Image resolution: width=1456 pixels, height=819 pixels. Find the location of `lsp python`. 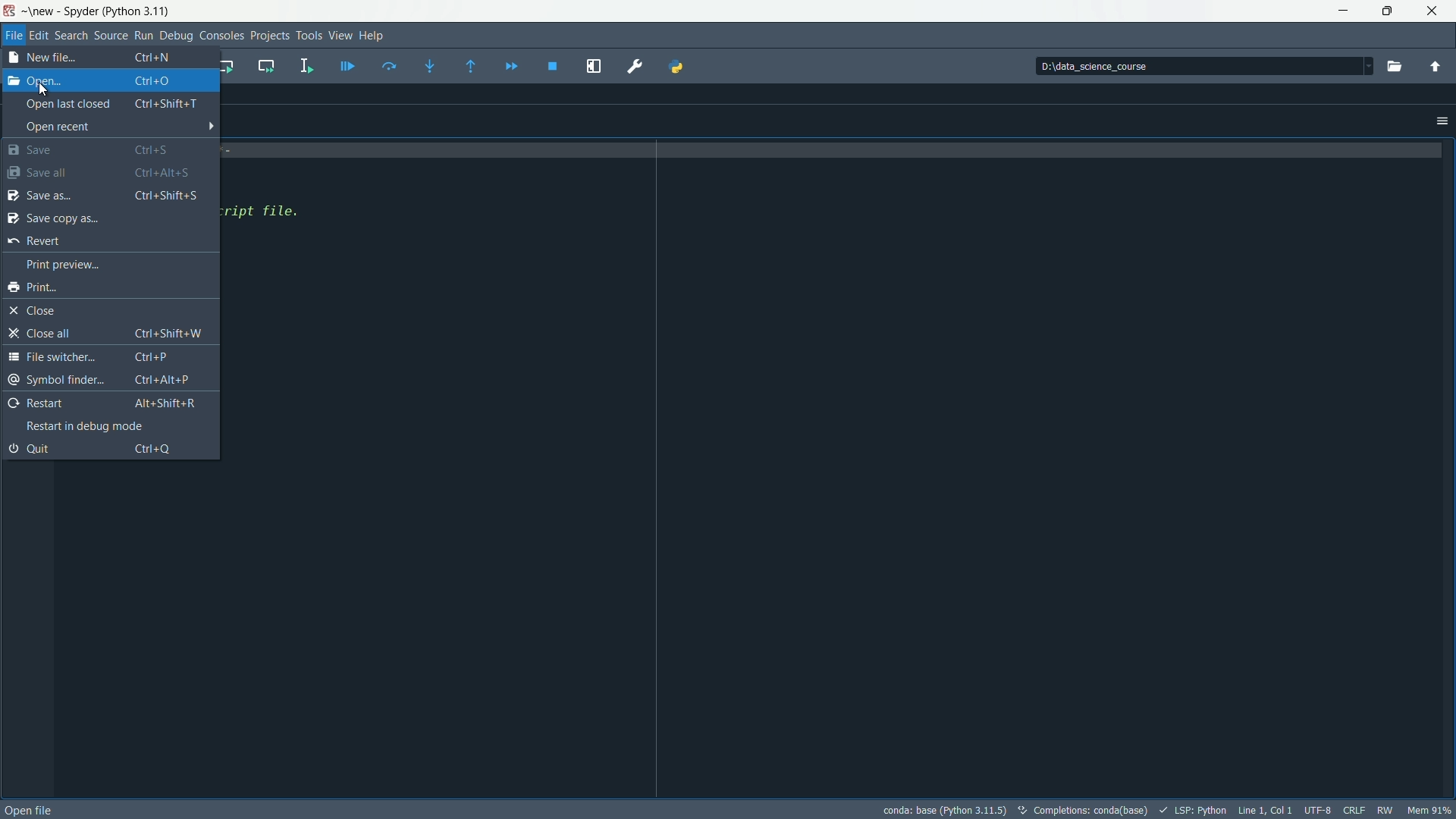

lsp python is located at coordinates (1197, 808).